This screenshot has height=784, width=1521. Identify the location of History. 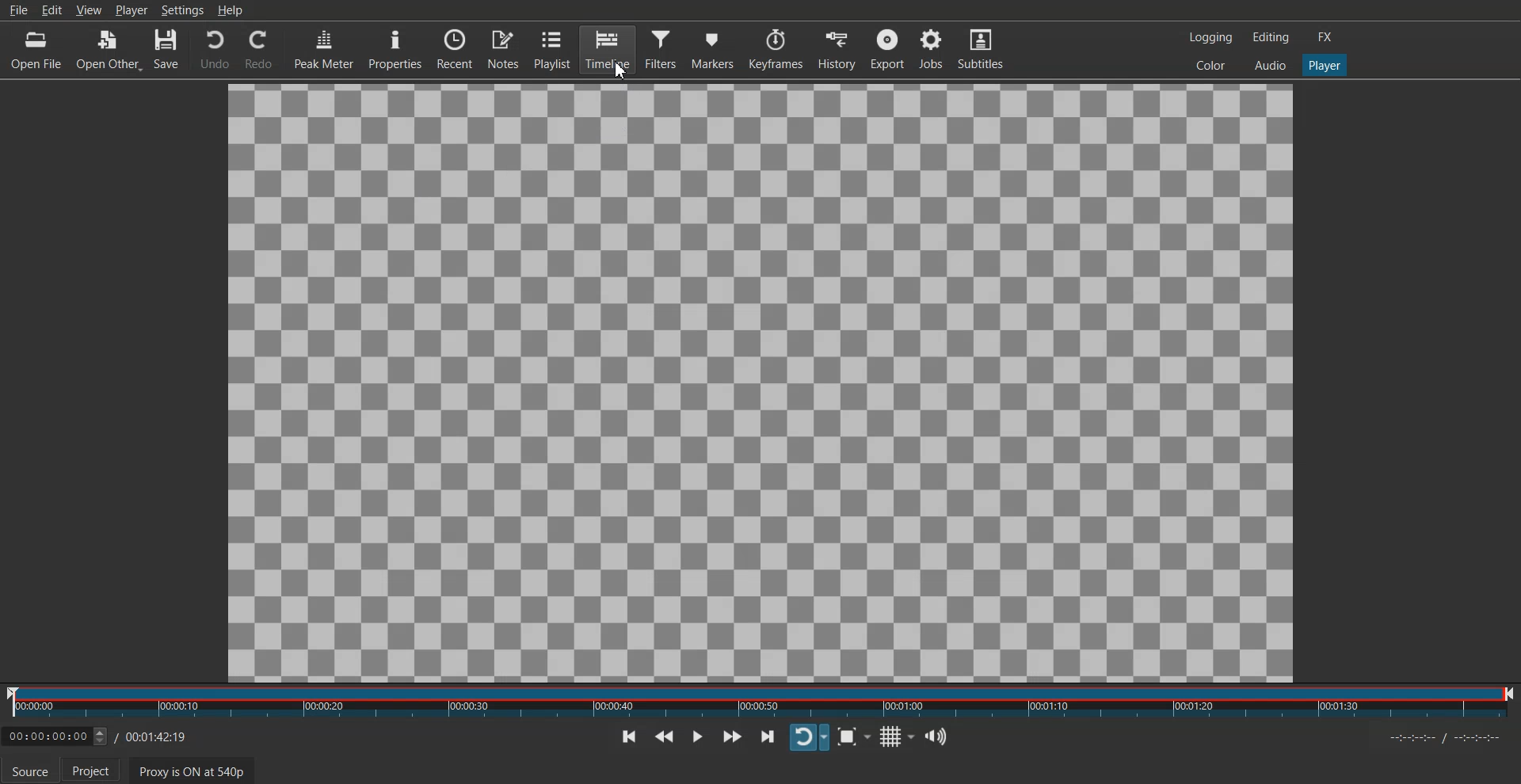
(838, 49).